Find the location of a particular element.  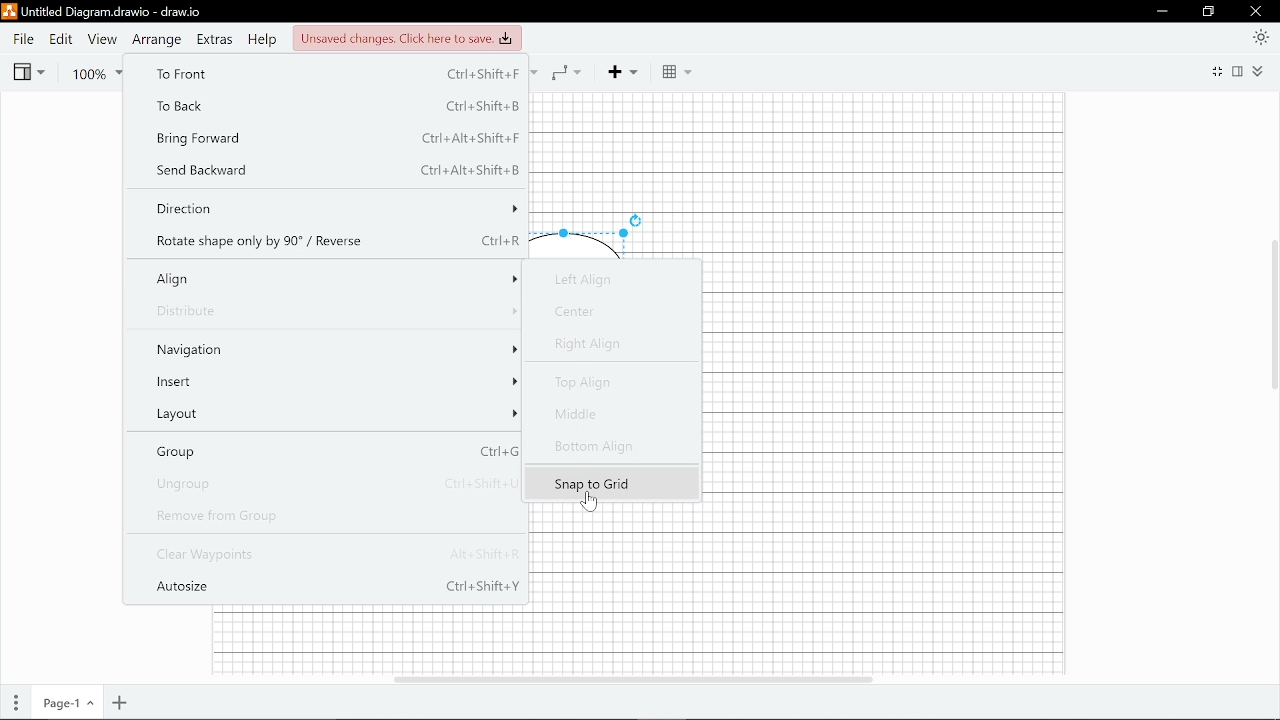

Left Align is located at coordinates (605, 278).